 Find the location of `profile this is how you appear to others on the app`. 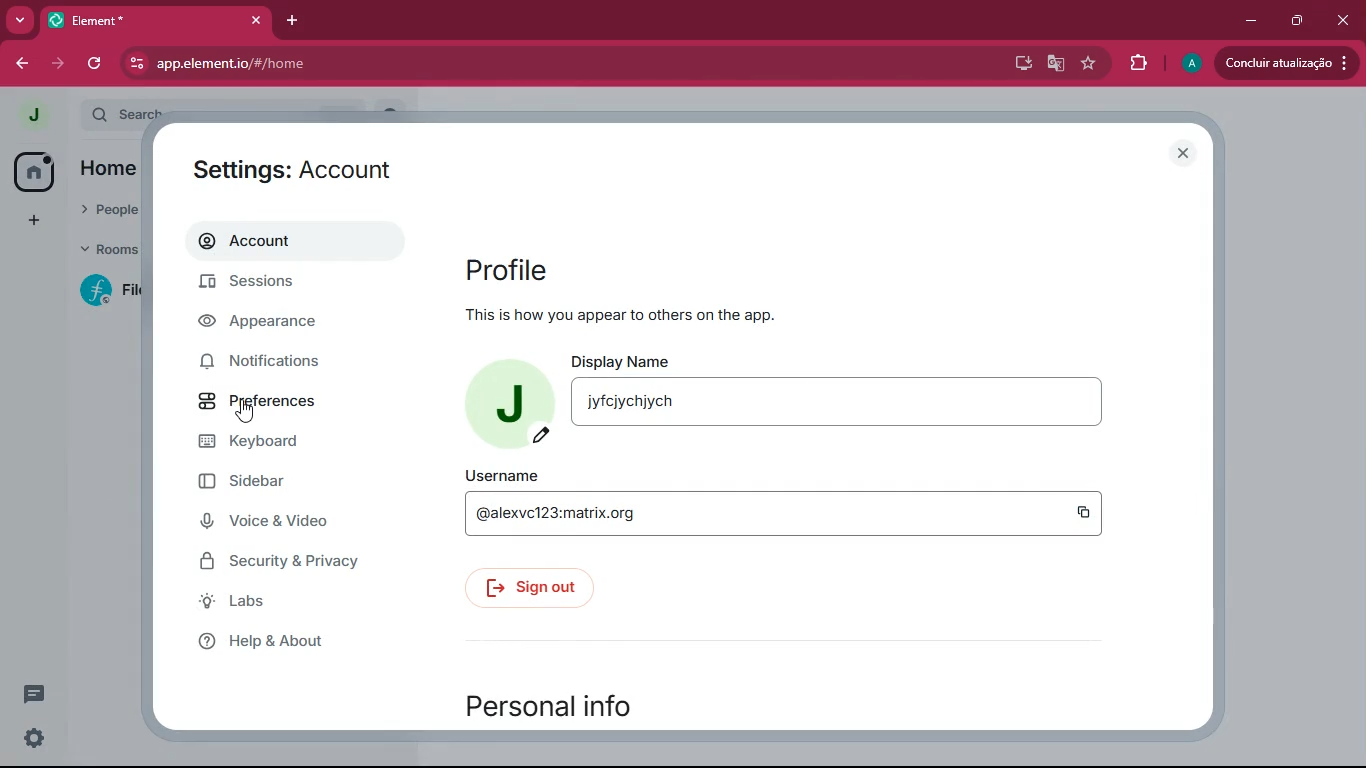

profile this is how you appear to others on the app is located at coordinates (666, 291).